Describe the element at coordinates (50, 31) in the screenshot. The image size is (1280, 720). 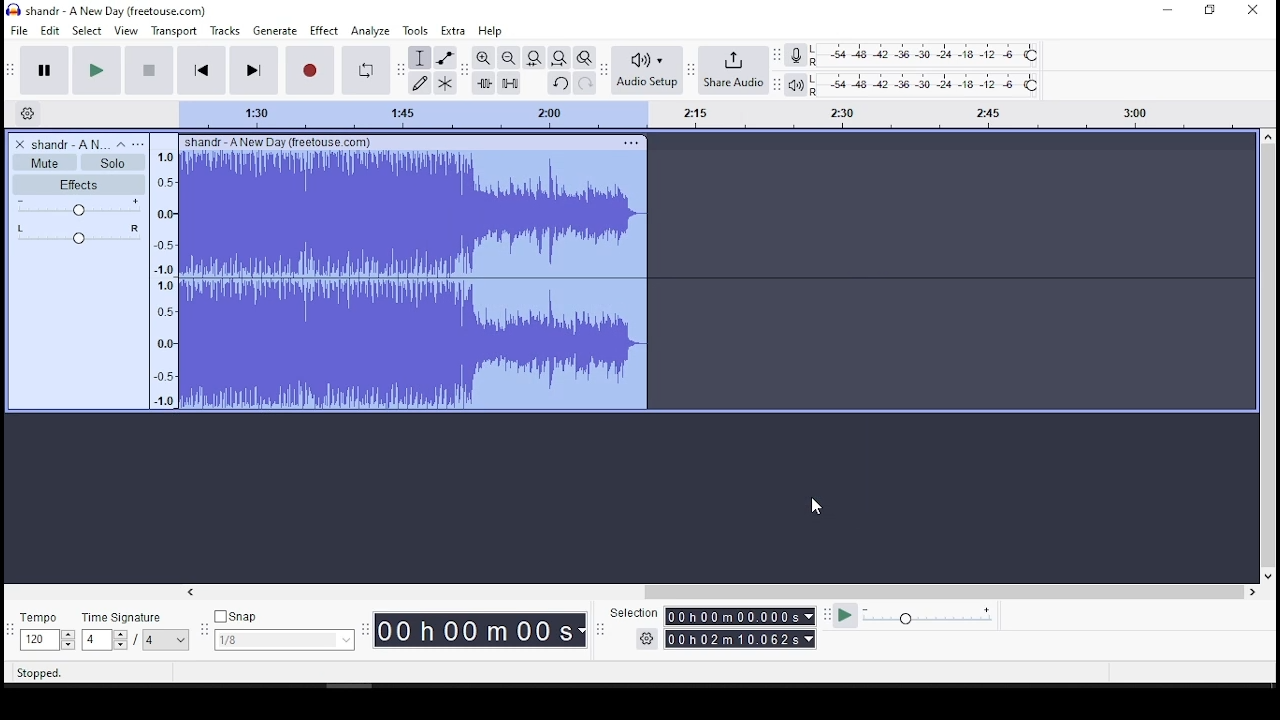
I see `edit` at that location.